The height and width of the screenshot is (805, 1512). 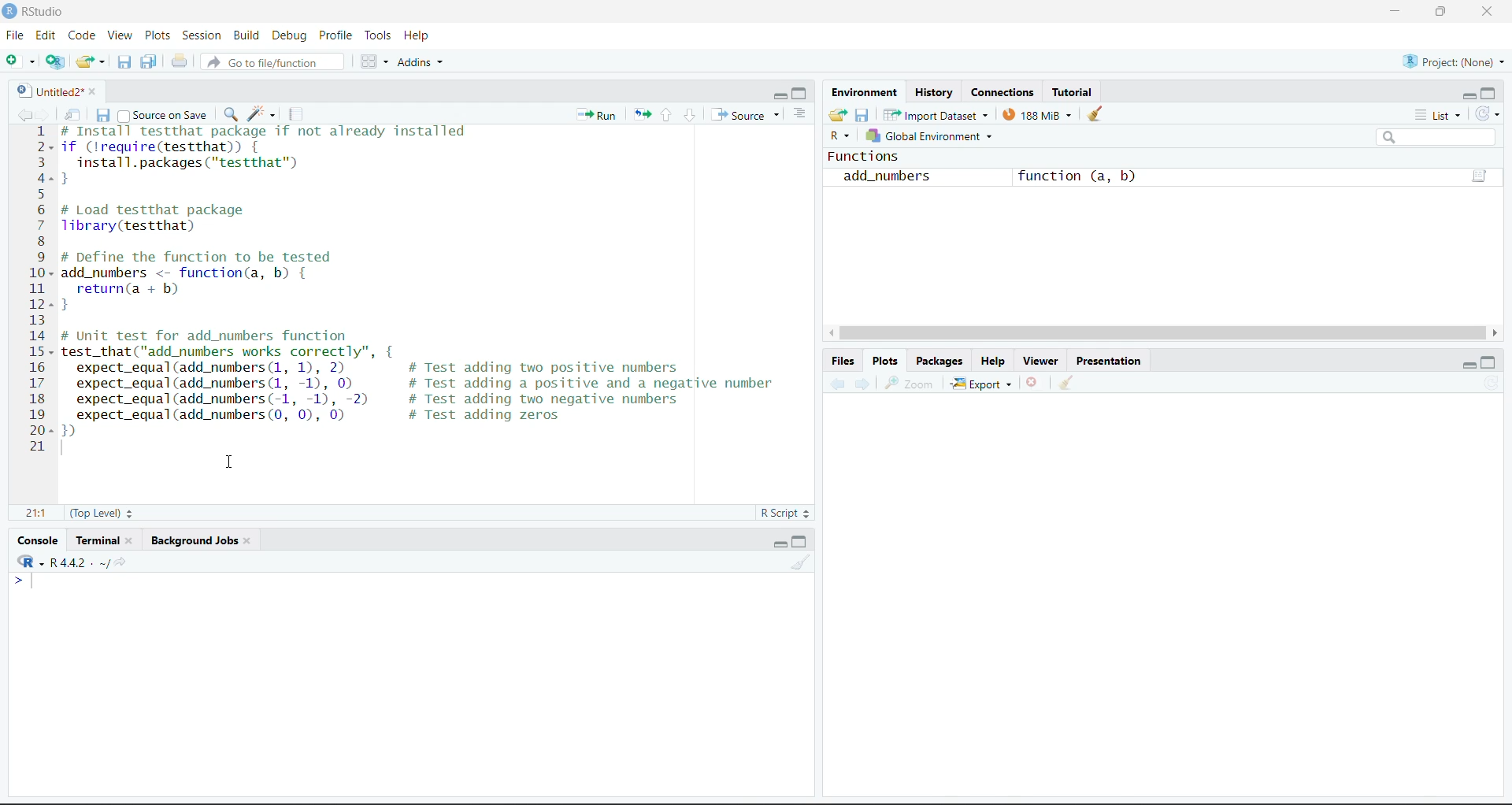 What do you see at coordinates (94, 91) in the screenshot?
I see `close` at bounding box center [94, 91].